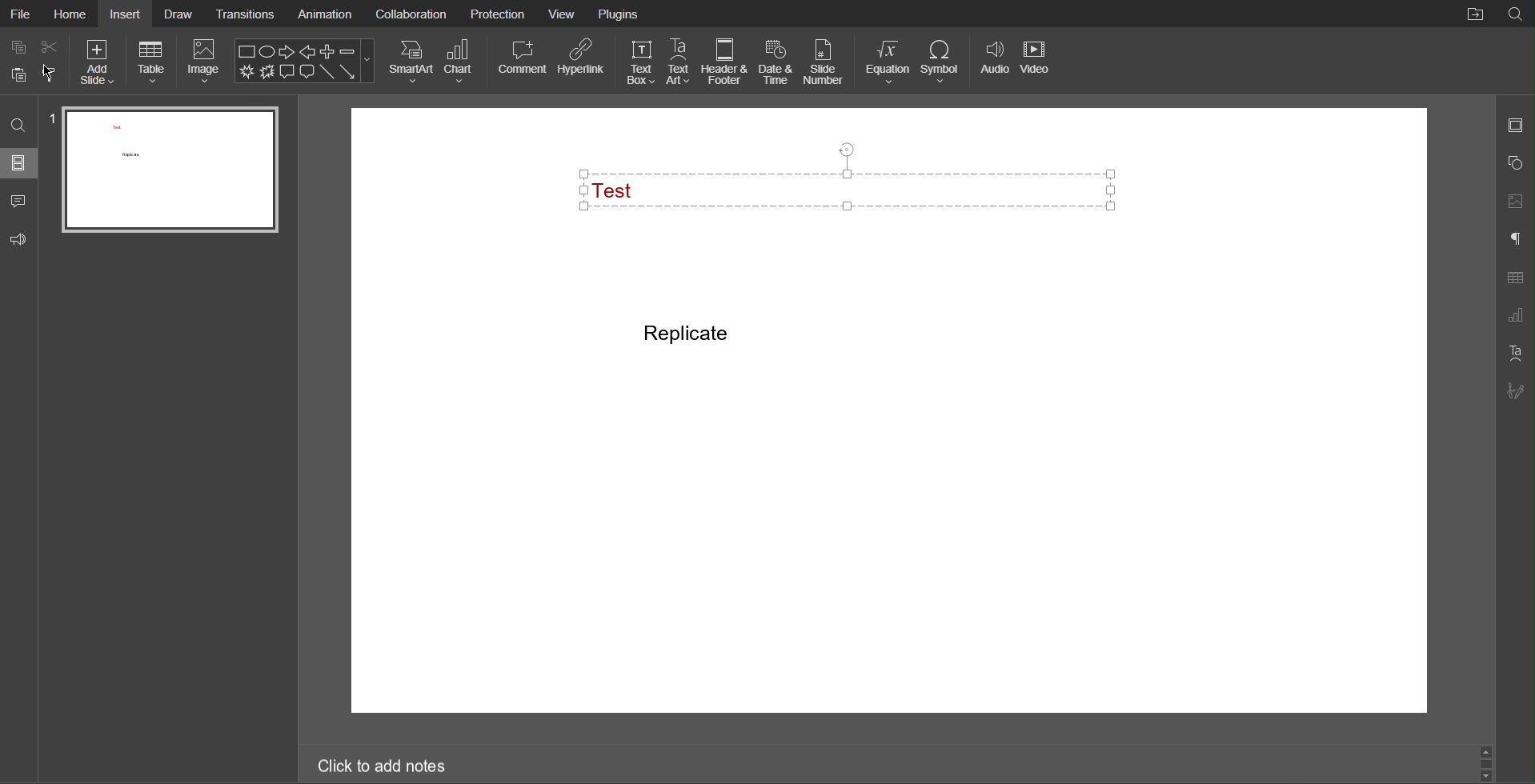 This screenshot has height=784, width=1535. What do you see at coordinates (726, 62) in the screenshot?
I see `Header & Footer` at bounding box center [726, 62].